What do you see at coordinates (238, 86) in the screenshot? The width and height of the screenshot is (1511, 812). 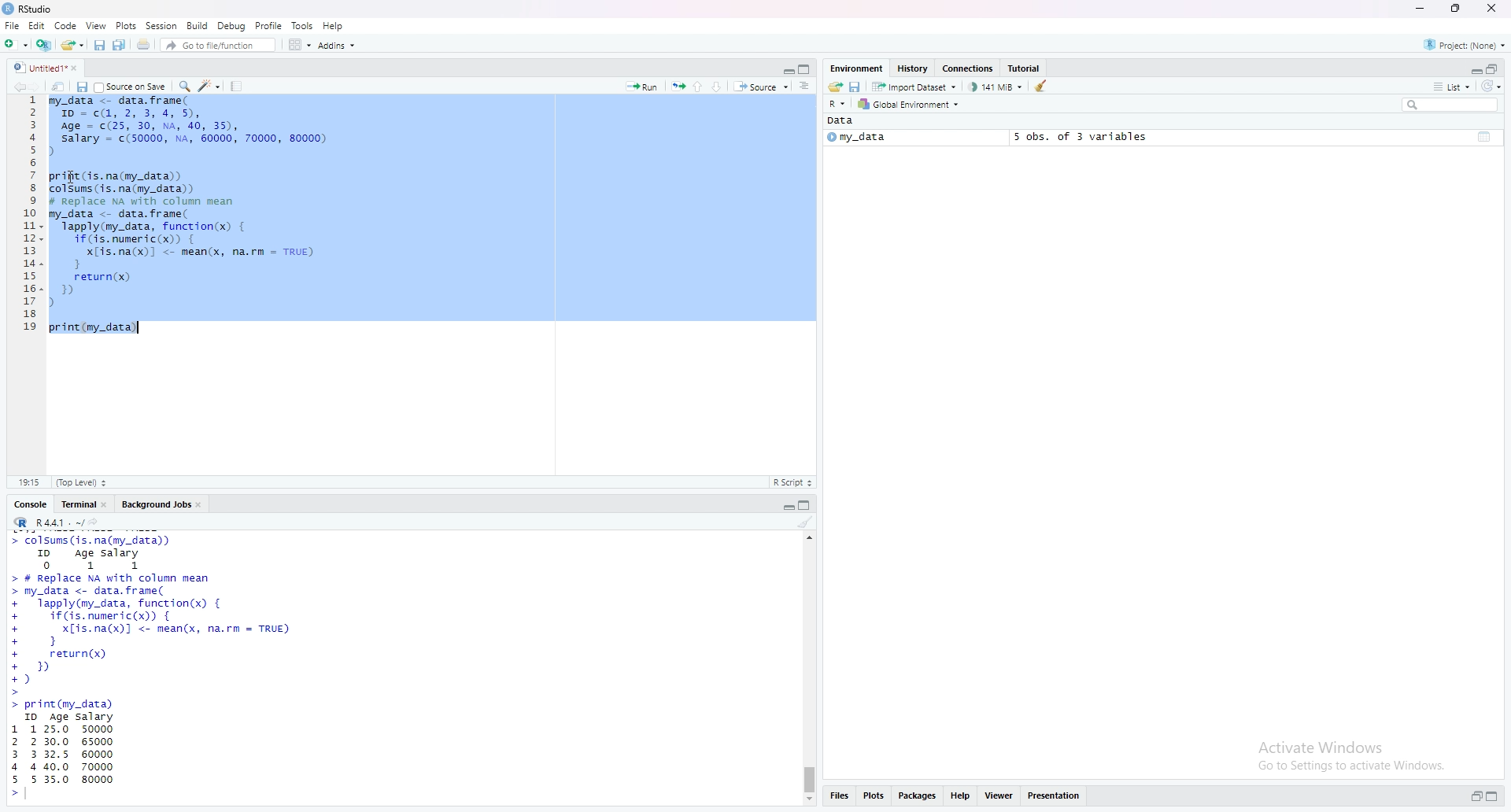 I see `compile reports` at bounding box center [238, 86].